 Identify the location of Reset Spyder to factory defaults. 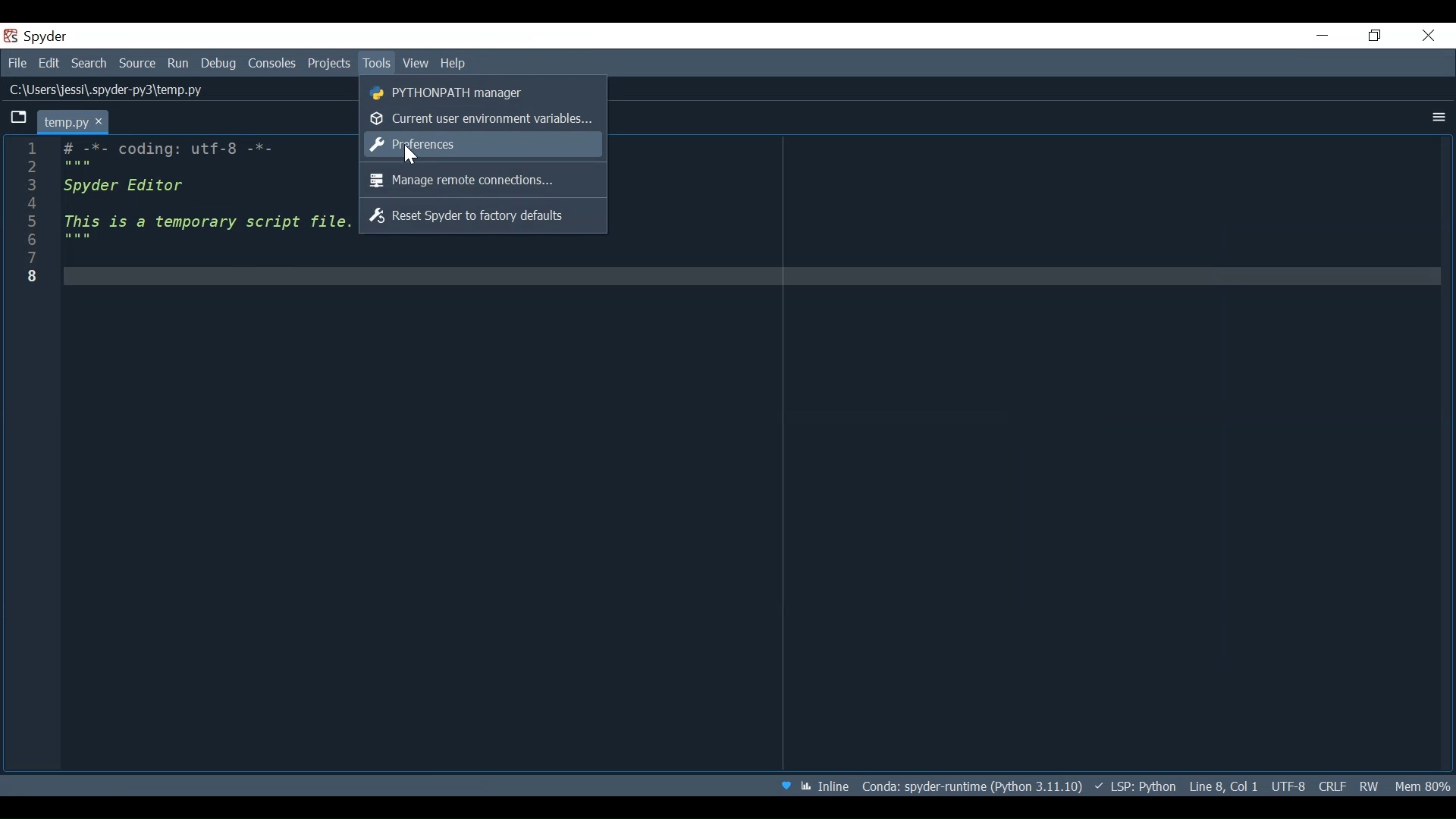
(475, 215).